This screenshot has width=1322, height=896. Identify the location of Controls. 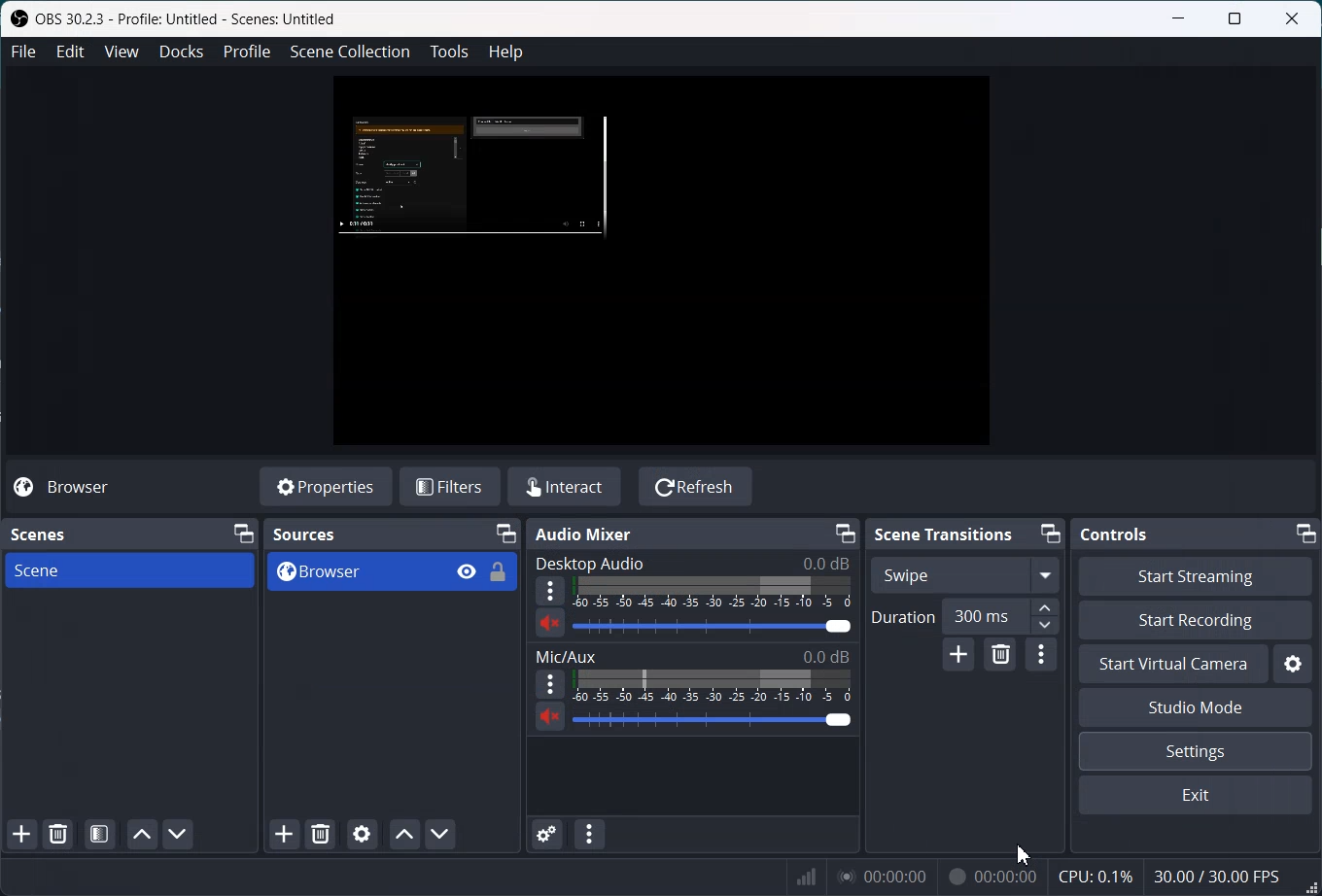
(1115, 534).